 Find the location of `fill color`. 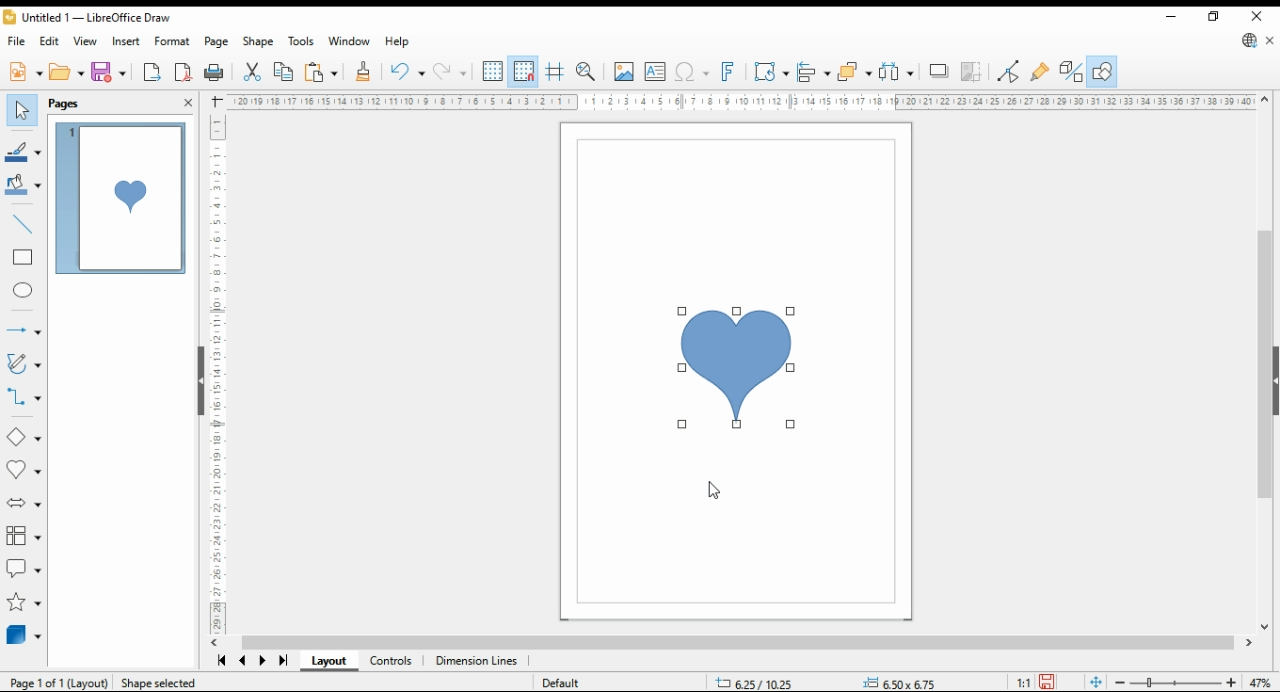

fill color is located at coordinates (24, 186).